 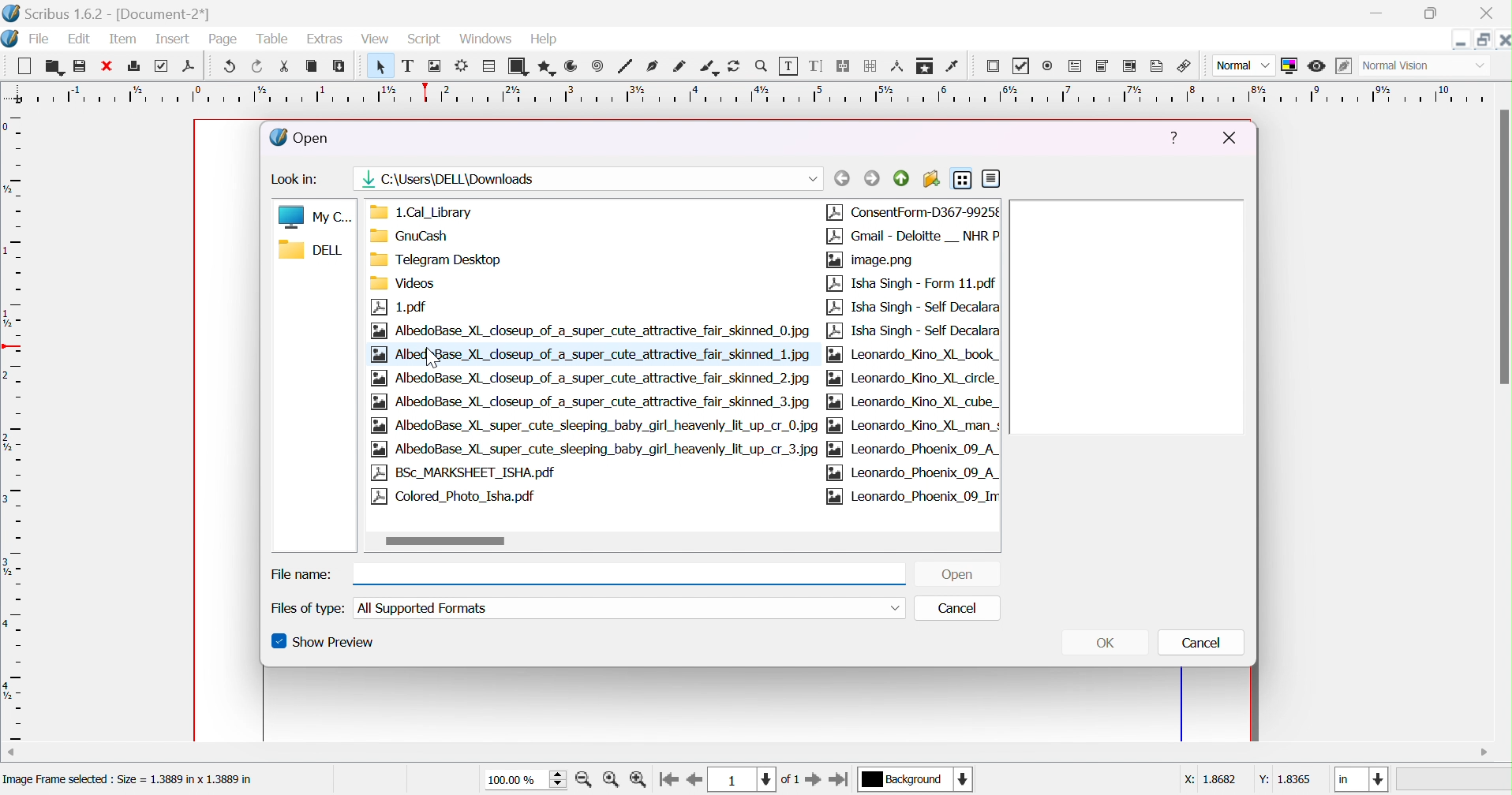 What do you see at coordinates (818, 66) in the screenshot?
I see `edit text with story editor` at bounding box center [818, 66].